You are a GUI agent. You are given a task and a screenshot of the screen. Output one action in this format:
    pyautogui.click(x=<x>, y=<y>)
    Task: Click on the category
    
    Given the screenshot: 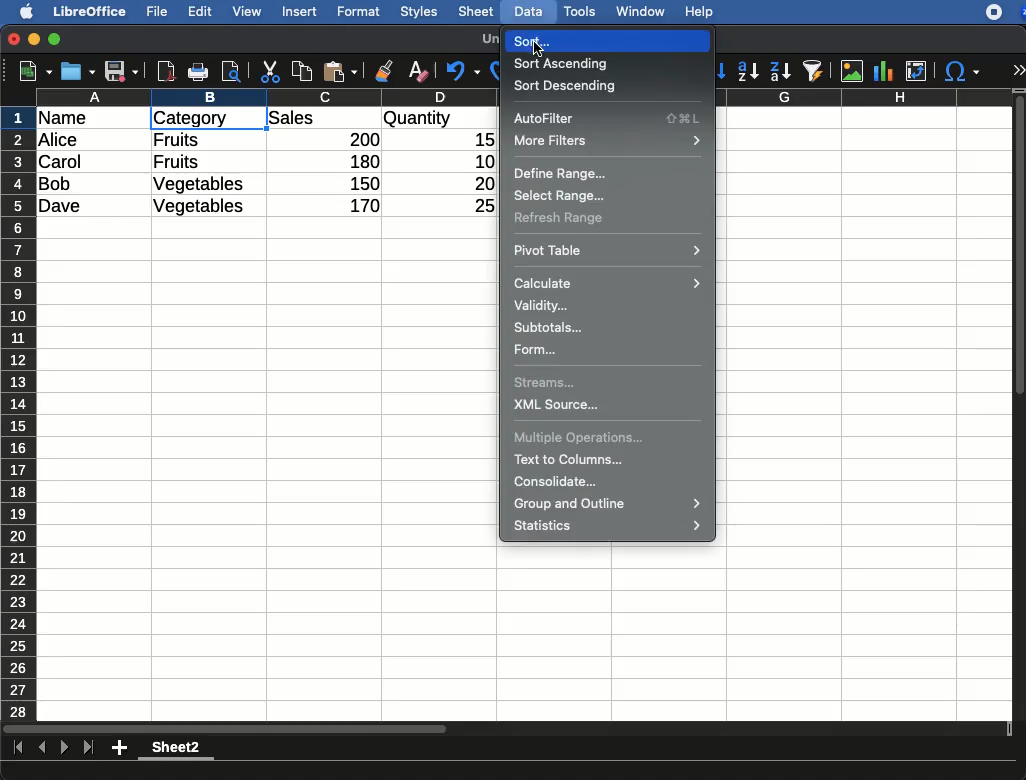 What is the action you would take?
    pyautogui.click(x=206, y=119)
    